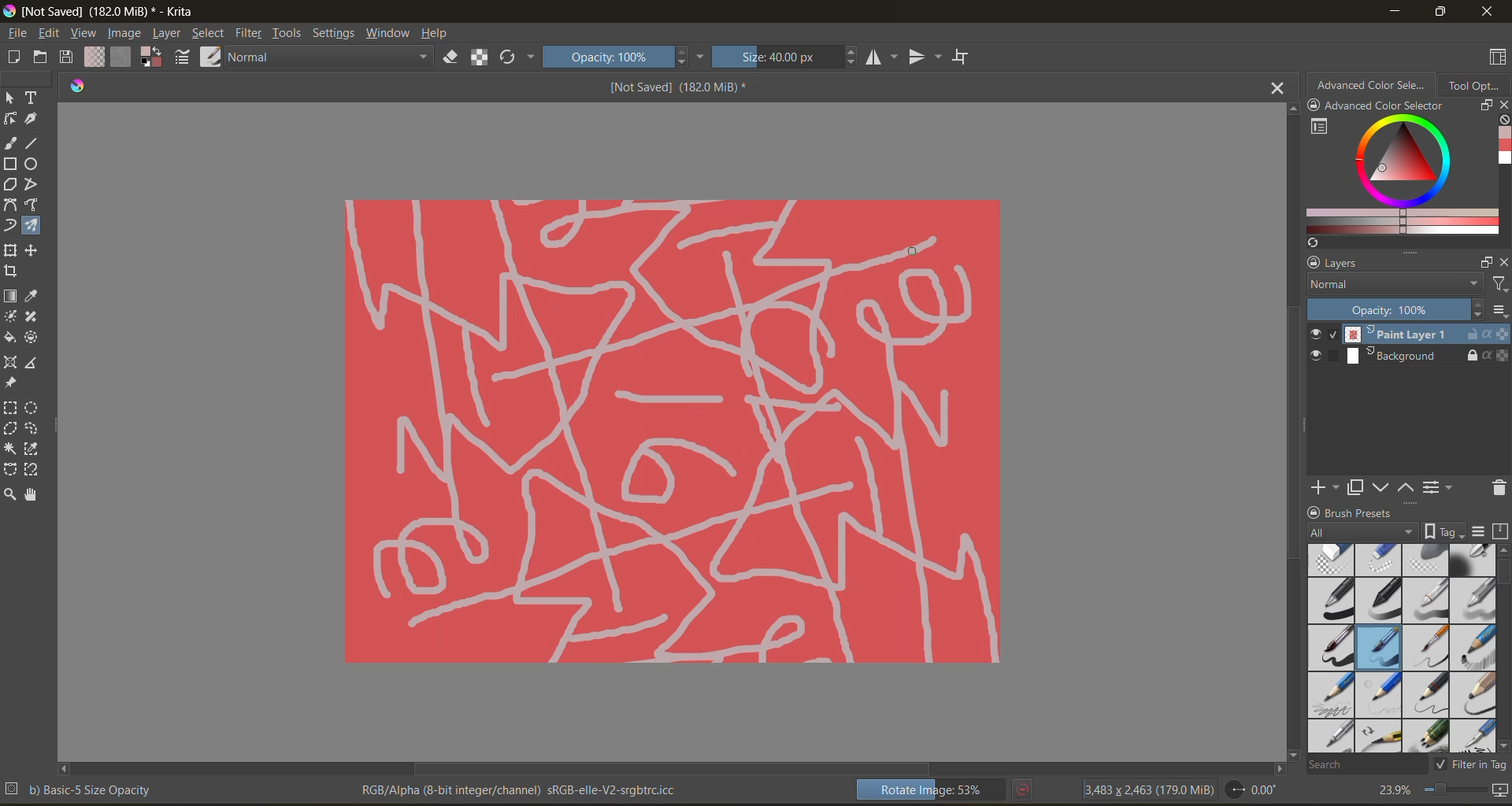  Describe the element at coordinates (168, 35) in the screenshot. I see `layer` at that location.